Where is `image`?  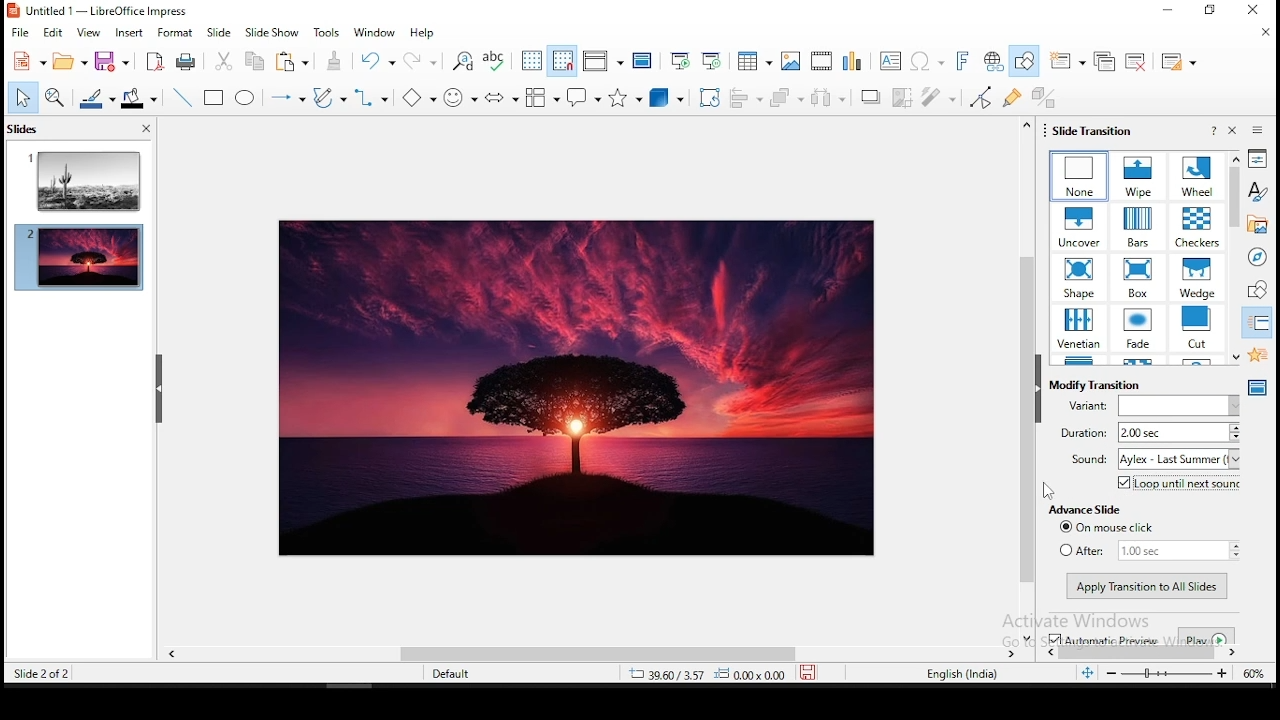 image is located at coordinates (578, 387).